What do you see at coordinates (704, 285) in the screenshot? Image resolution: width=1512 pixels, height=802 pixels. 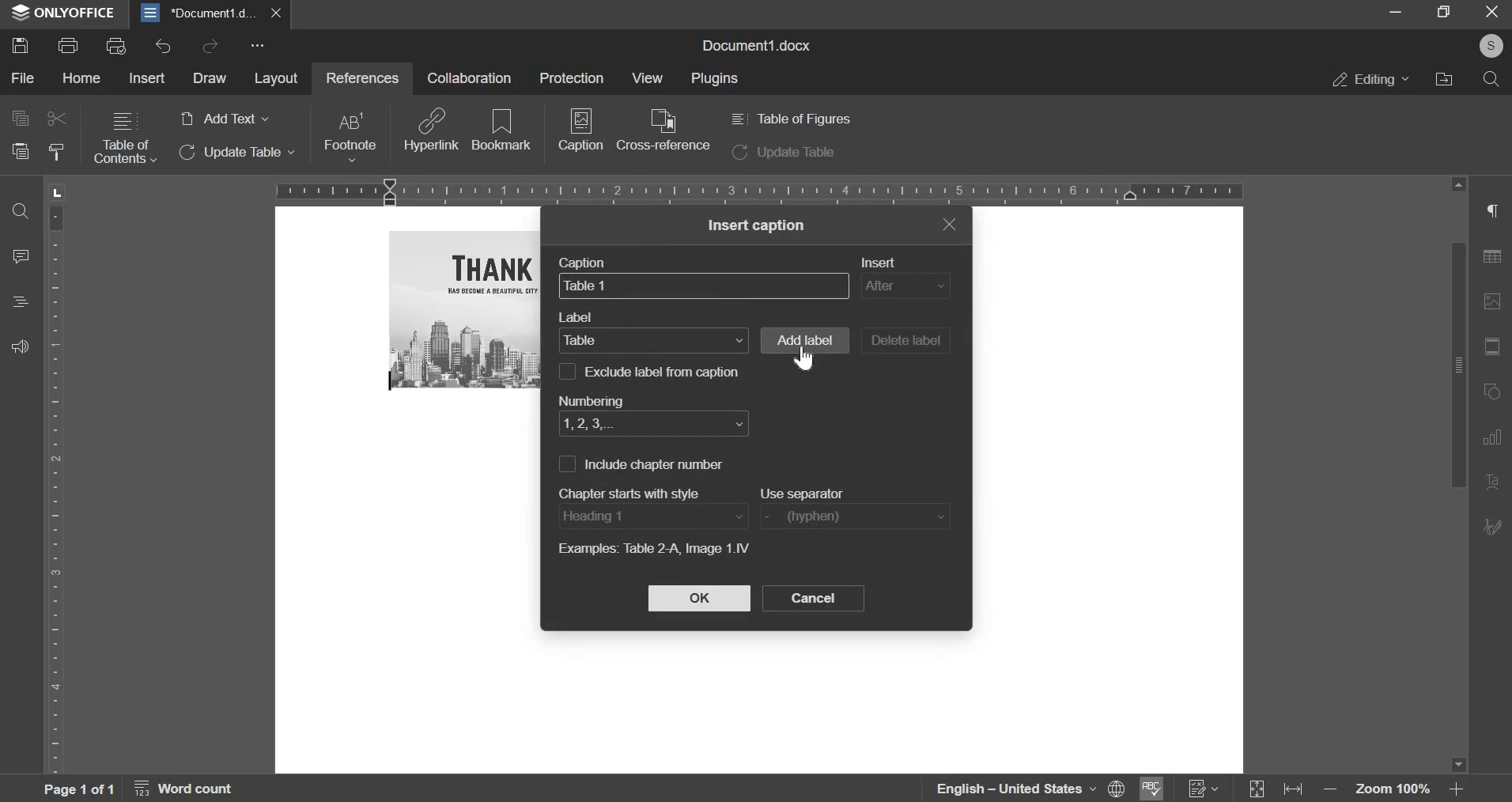 I see `caption` at bounding box center [704, 285].